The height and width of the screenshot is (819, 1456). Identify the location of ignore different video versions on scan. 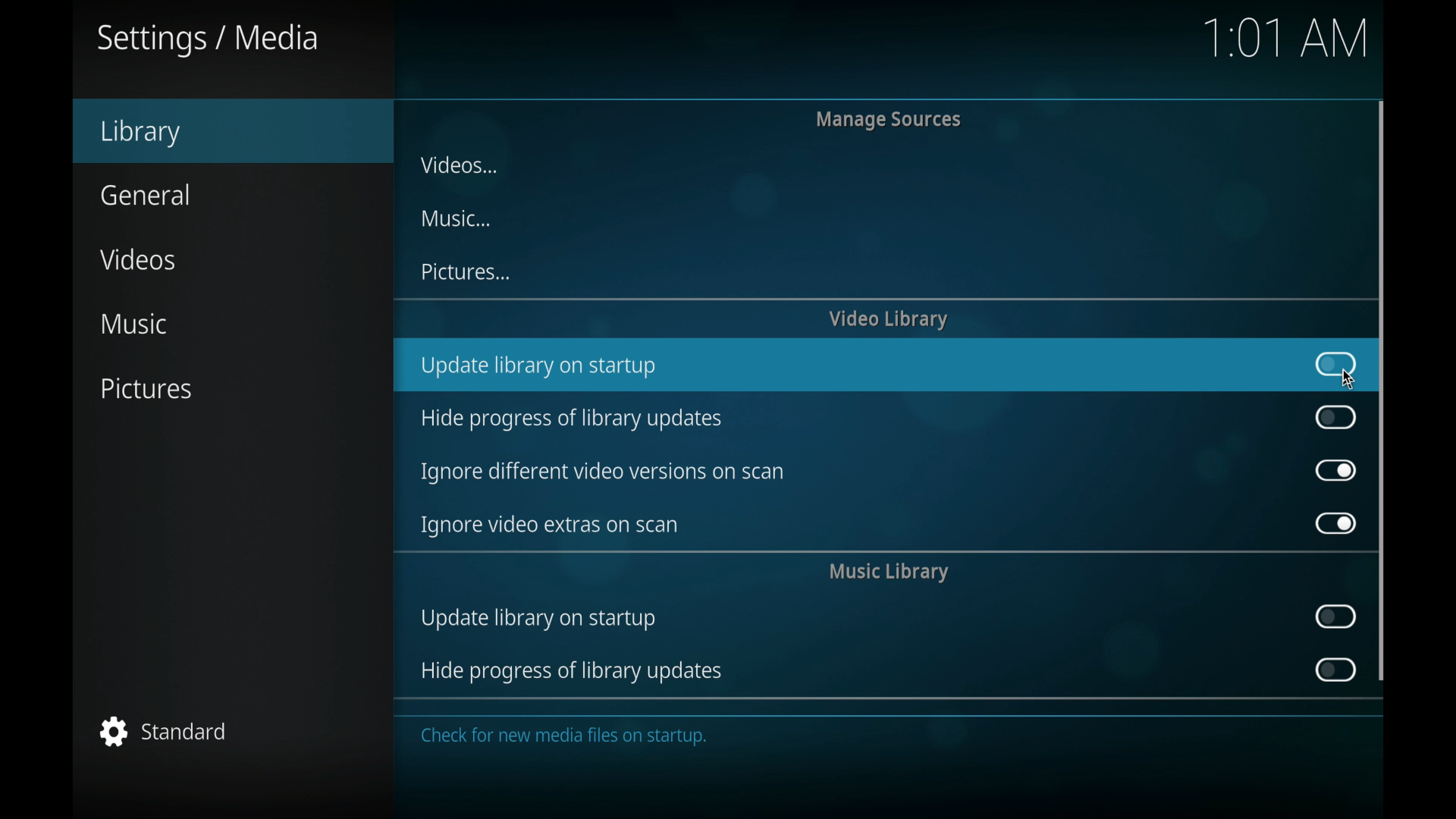
(601, 472).